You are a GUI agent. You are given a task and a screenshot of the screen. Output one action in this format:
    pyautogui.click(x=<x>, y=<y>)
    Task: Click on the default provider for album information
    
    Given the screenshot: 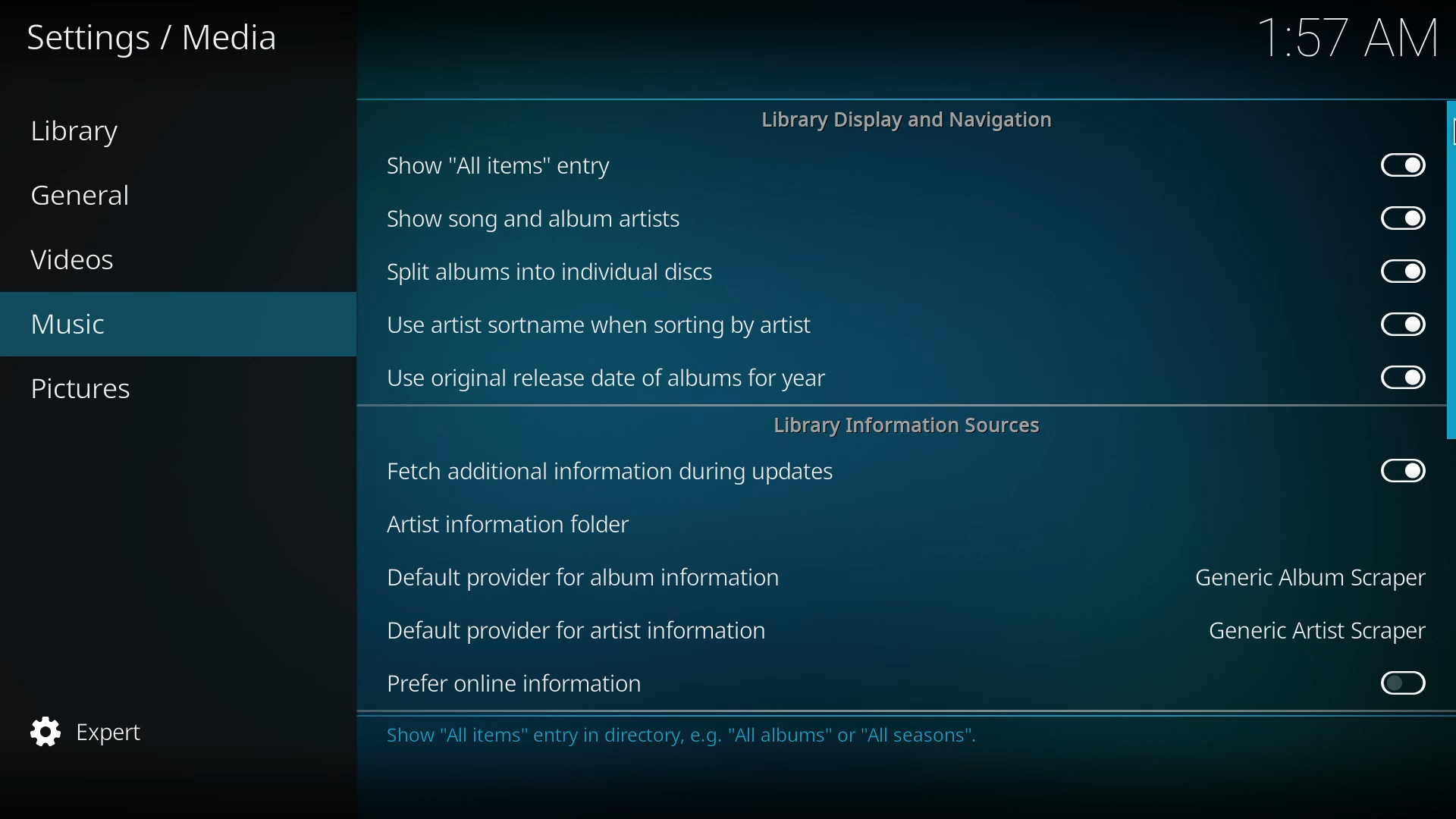 What is the action you would take?
    pyautogui.click(x=585, y=577)
    